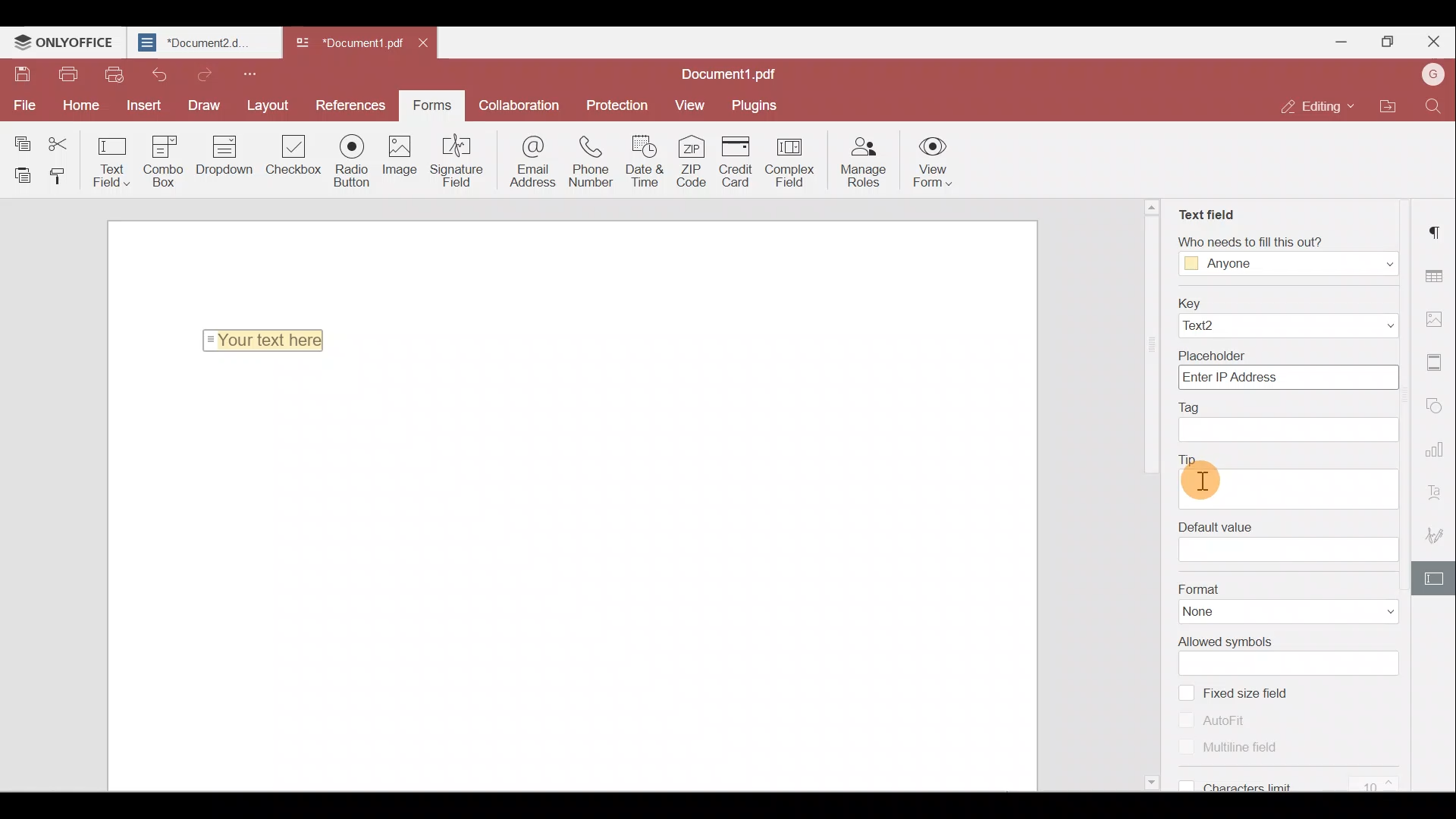 Image resolution: width=1456 pixels, height=819 pixels. What do you see at coordinates (1287, 353) in the screenshot?
I see `Placeholder` at bounding box center [1287, 353].